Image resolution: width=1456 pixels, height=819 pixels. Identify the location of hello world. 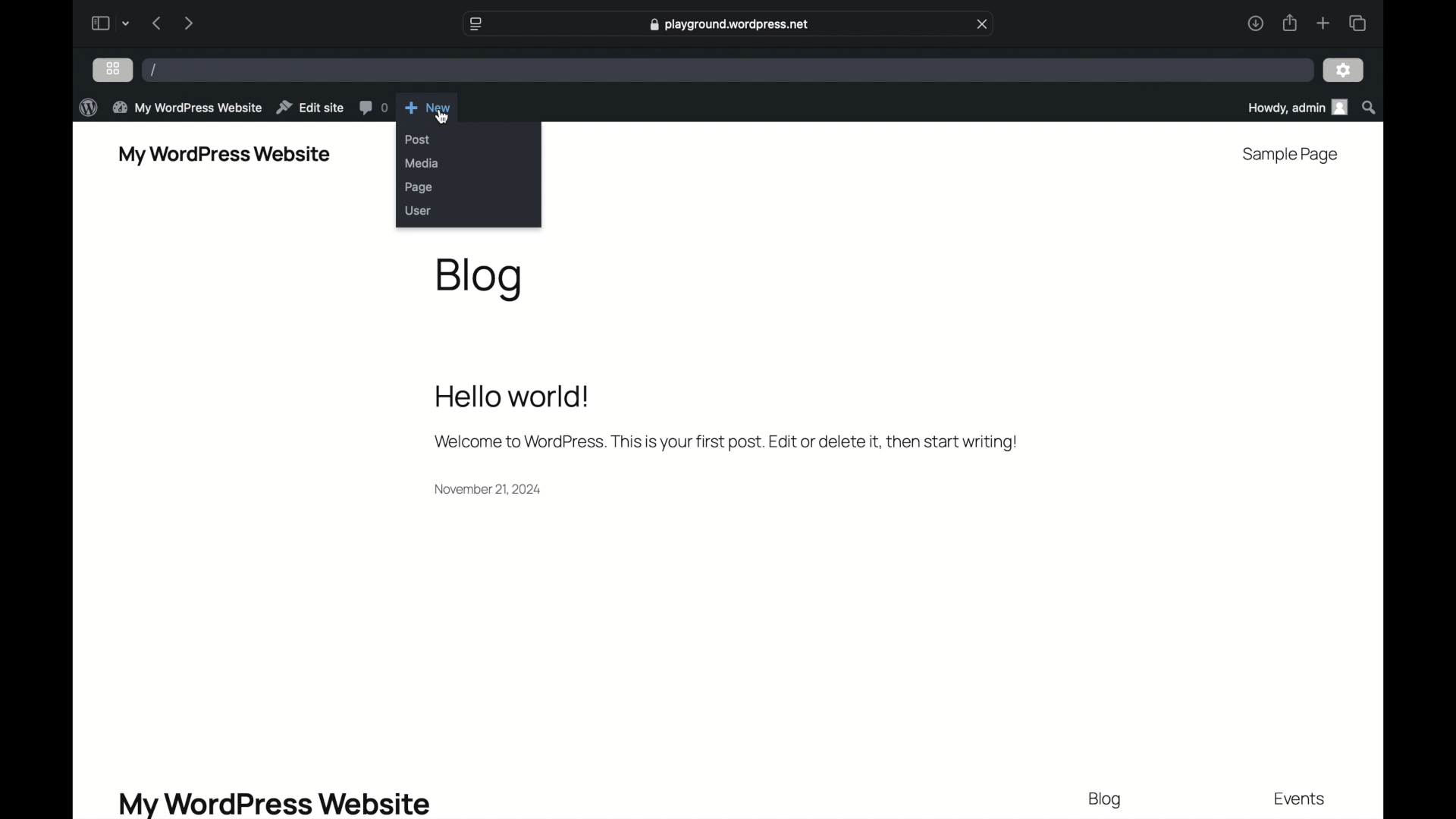
(513, 397).